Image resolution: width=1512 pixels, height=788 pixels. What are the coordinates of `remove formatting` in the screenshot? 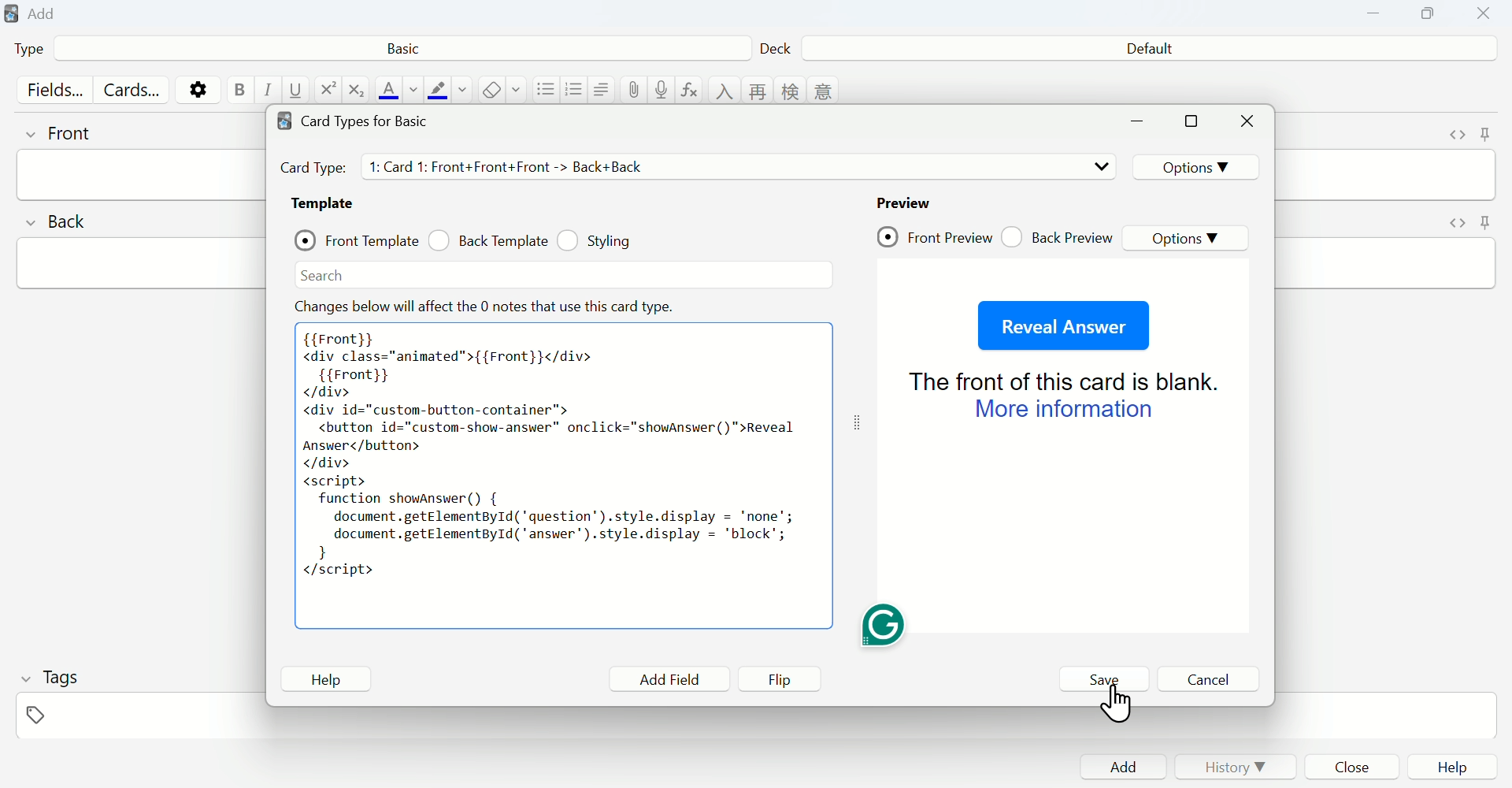 It's located at (493, 90).